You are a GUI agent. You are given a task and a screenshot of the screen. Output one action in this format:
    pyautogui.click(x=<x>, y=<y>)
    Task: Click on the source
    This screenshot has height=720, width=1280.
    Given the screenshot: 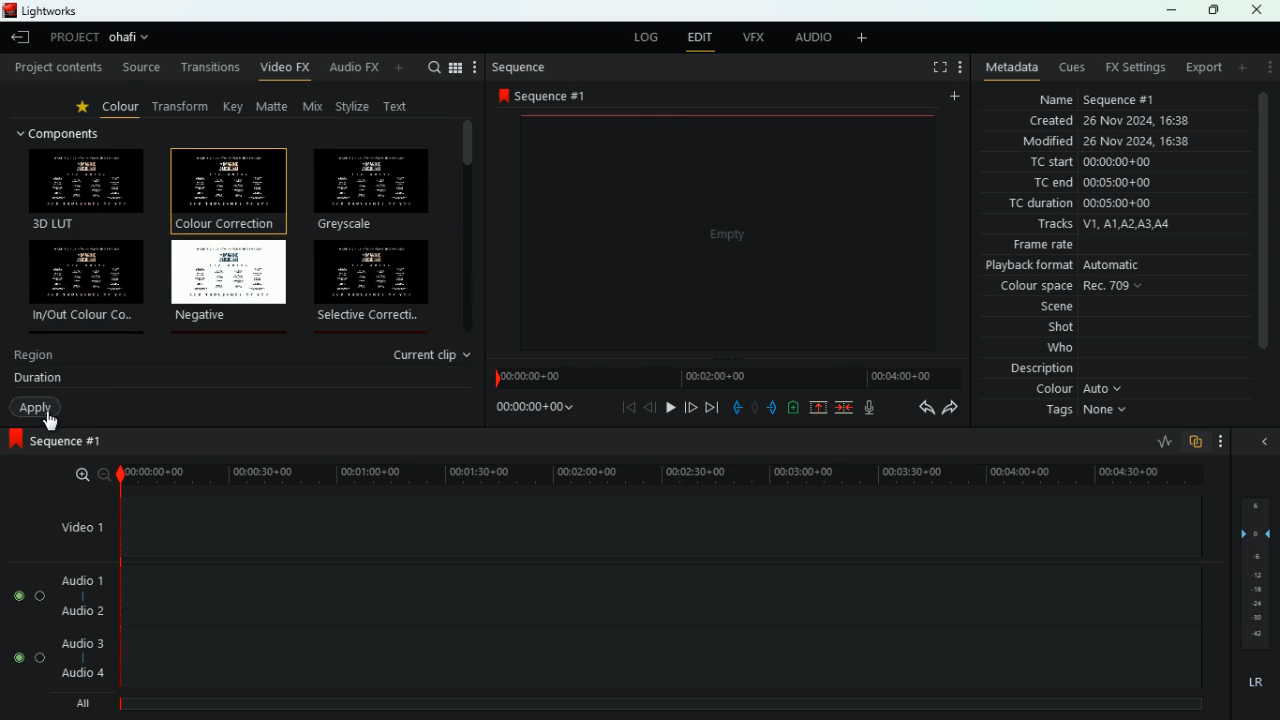 What is the action you would take?
    pyautogui.click(x=140, y=67)
    